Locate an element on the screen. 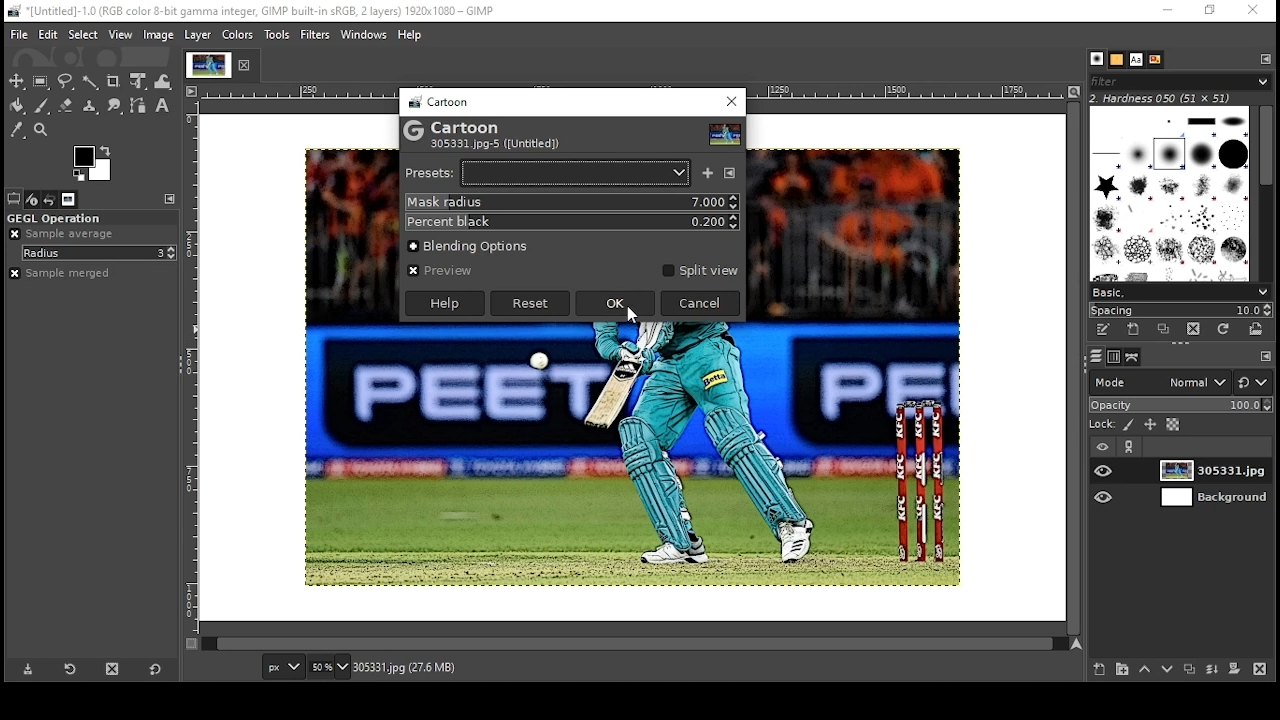  icon and filename is located at coordinates (254, 11).